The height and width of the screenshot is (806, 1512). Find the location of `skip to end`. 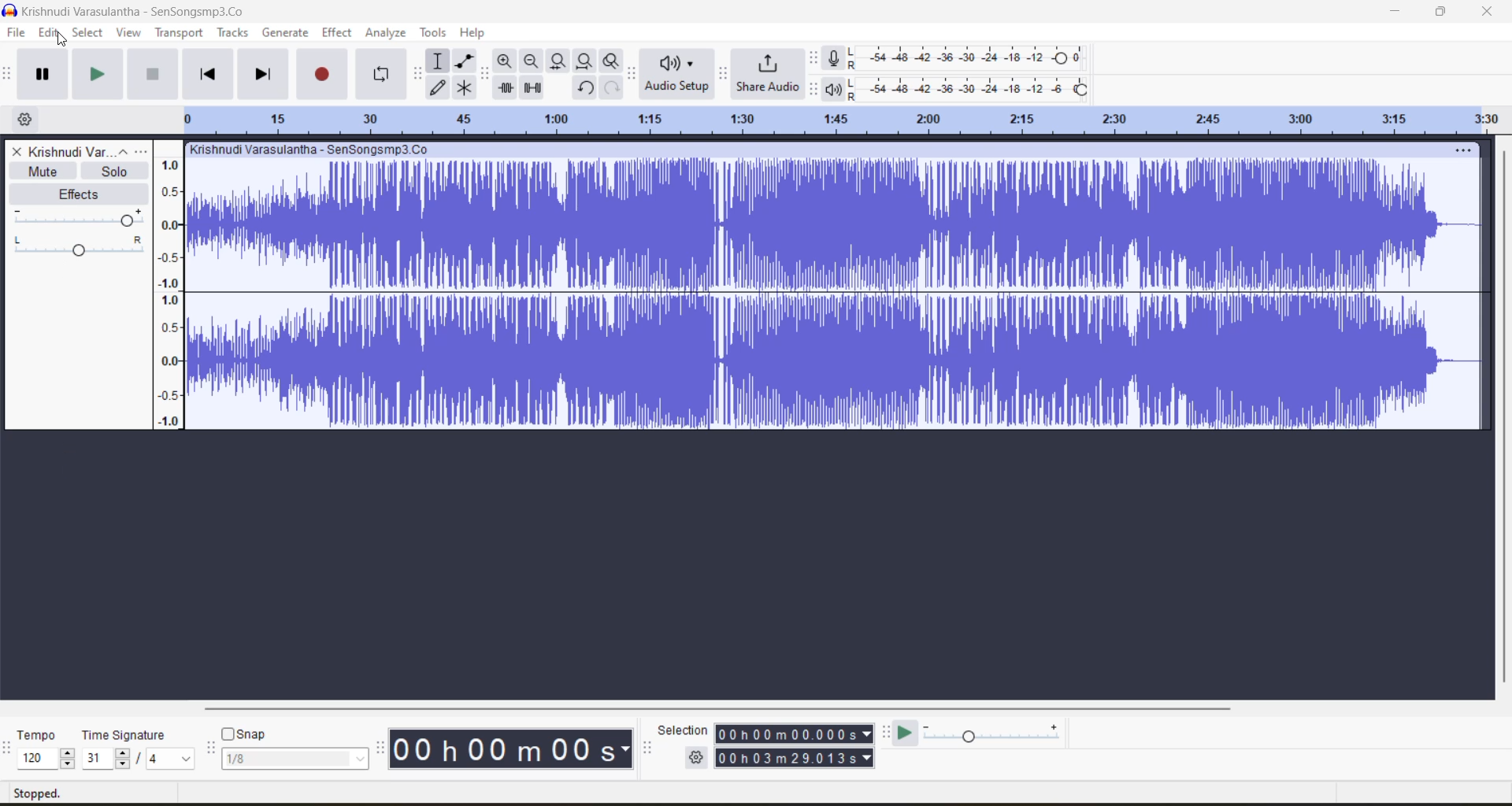

skip to end is located at coordinates (262, 72).